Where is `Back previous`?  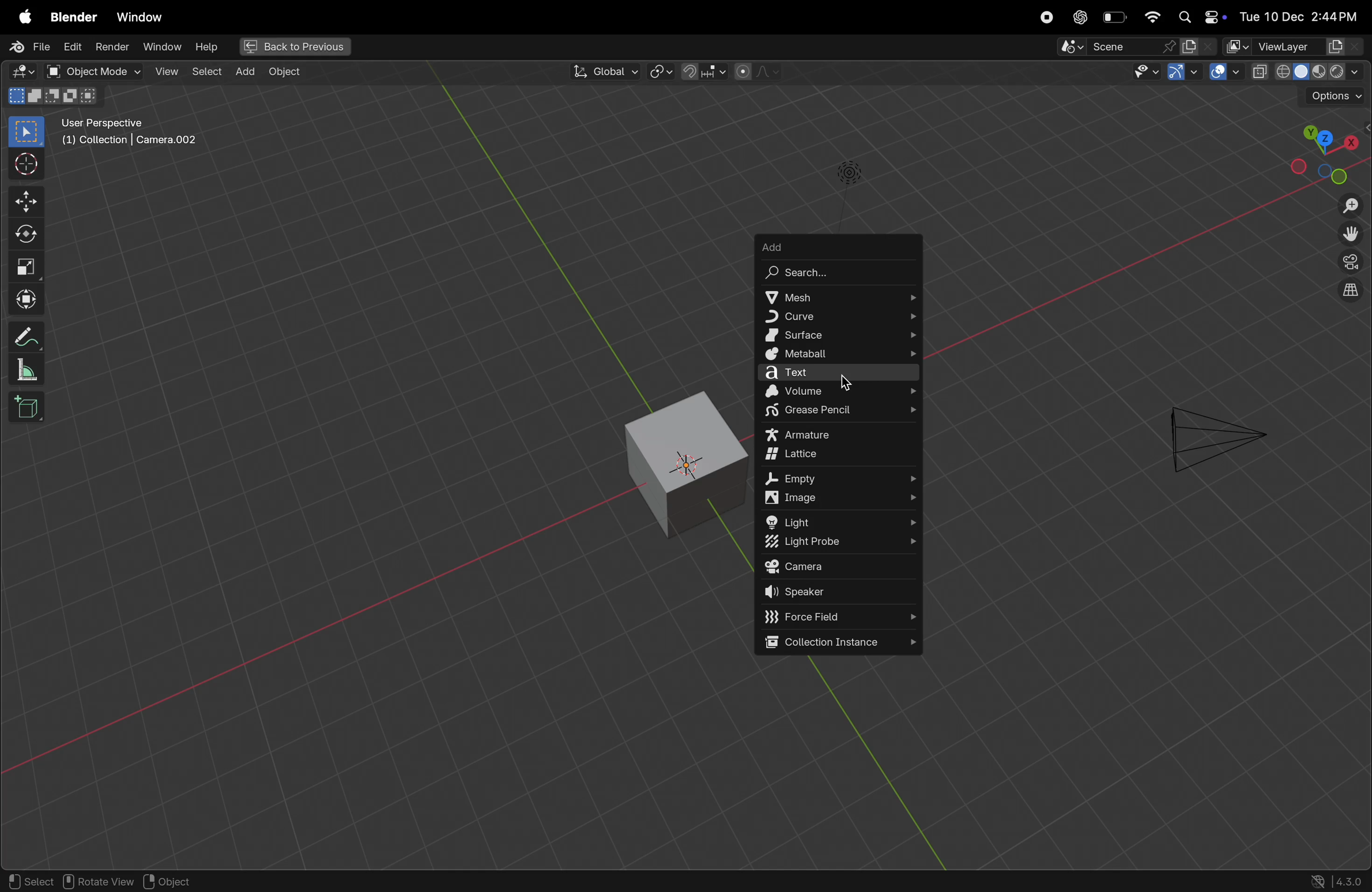
Back previous is located at coordinates (295, 47).